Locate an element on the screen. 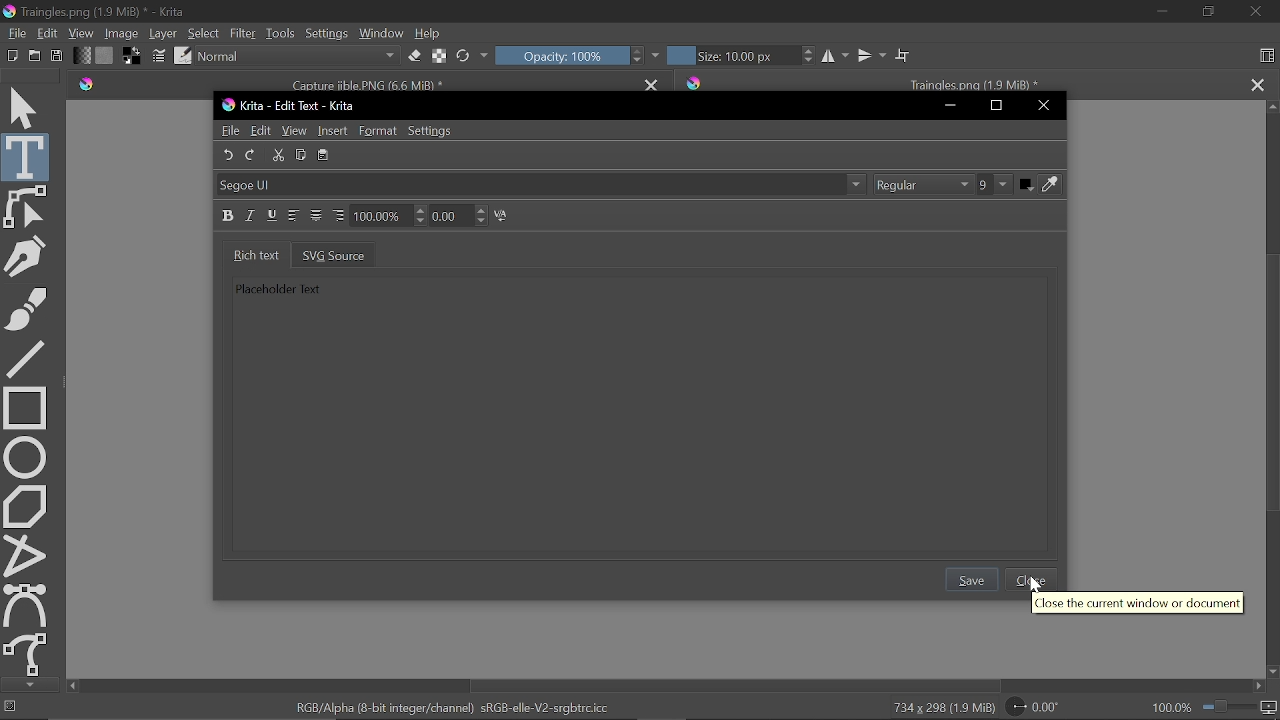 The height and width of the screenshot is (720, 1280). Save is located at coordinates (973, 579).